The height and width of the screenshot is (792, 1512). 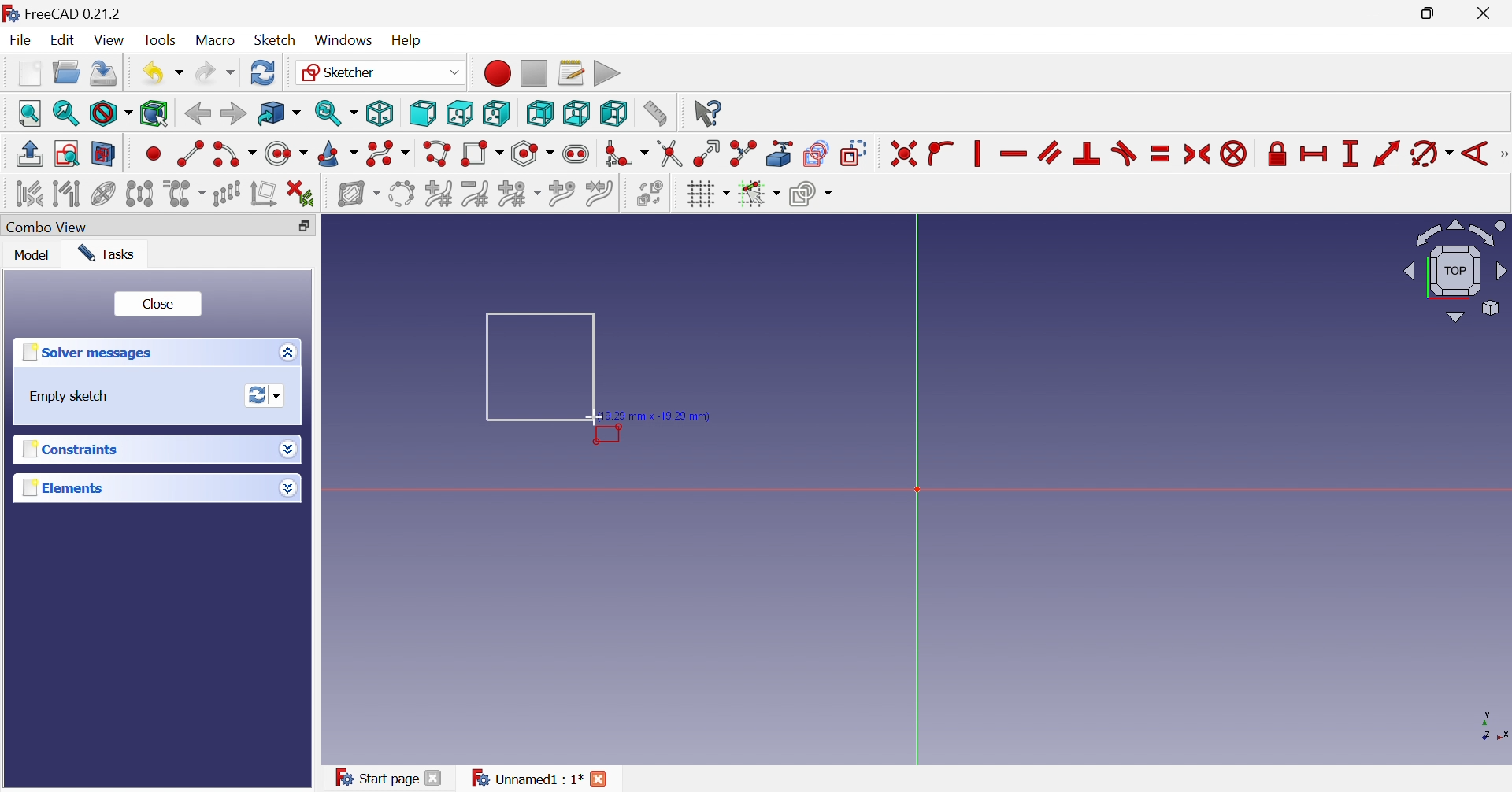 What do you see at coordinates (607, 74) in the screenshot?
I see `Execute macro` at bounding box center [607, 74].